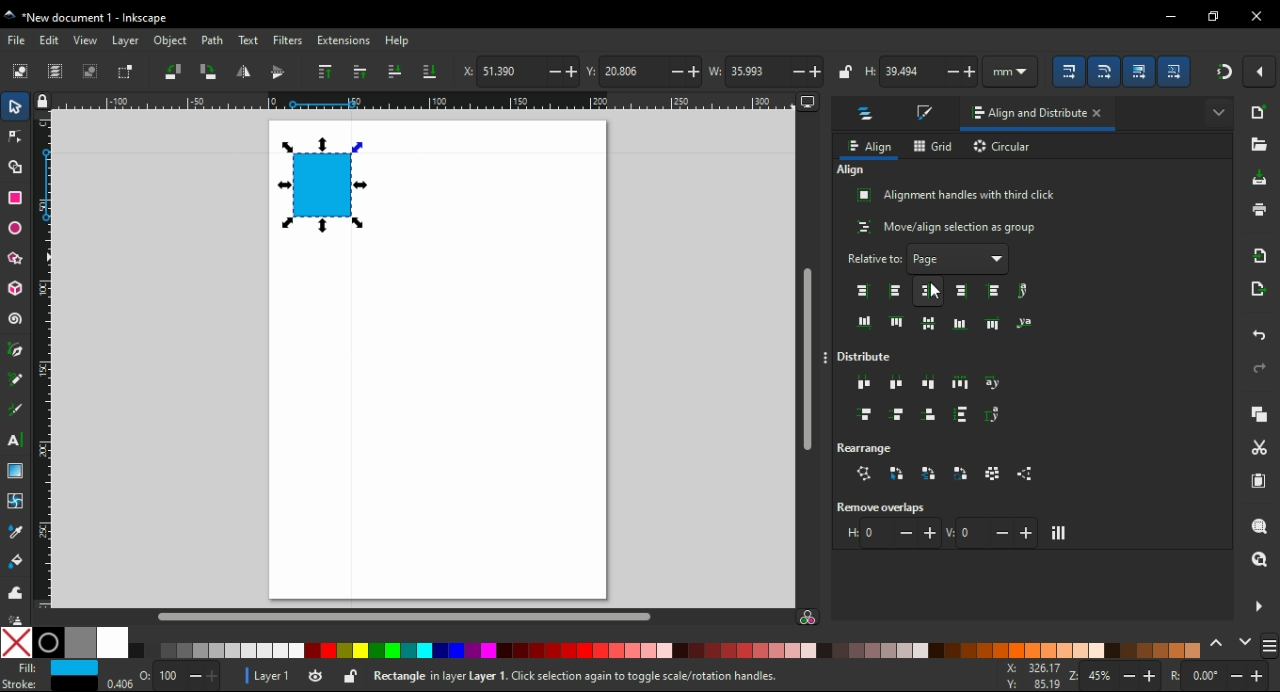 This screenshot has width=1280, height=692. What do you see at coordinates (15, 137) in the screenshot?
I see `node tools` at bounding box center [15, 137].